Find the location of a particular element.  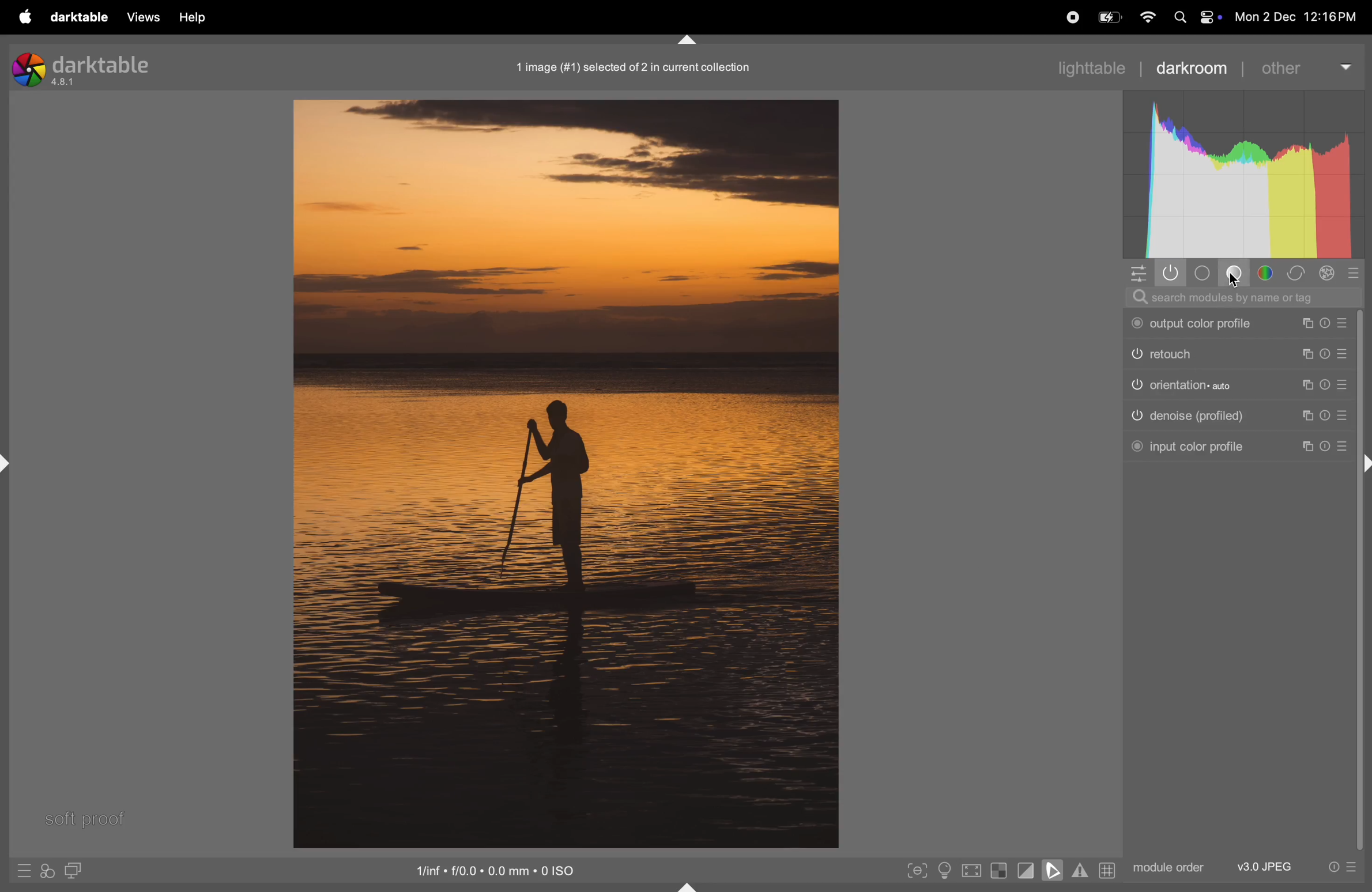

presets is located at coordinates (1355, 273).